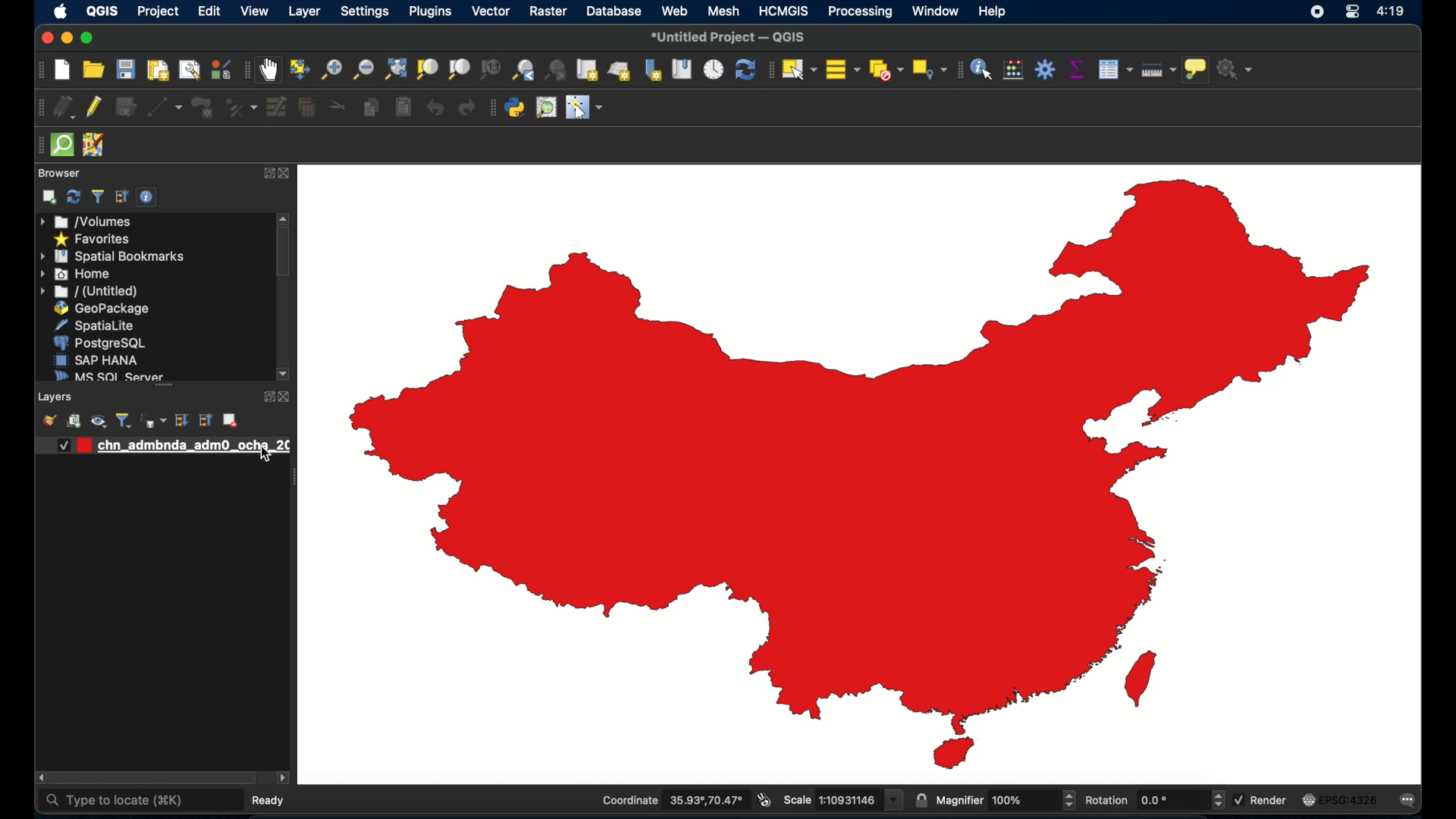 This screenshot has width=1456, height=819. What do you see at coordinates (283, 778) in the screenshot?
I see `scroll left arrow` at bounding box center [283, 778].